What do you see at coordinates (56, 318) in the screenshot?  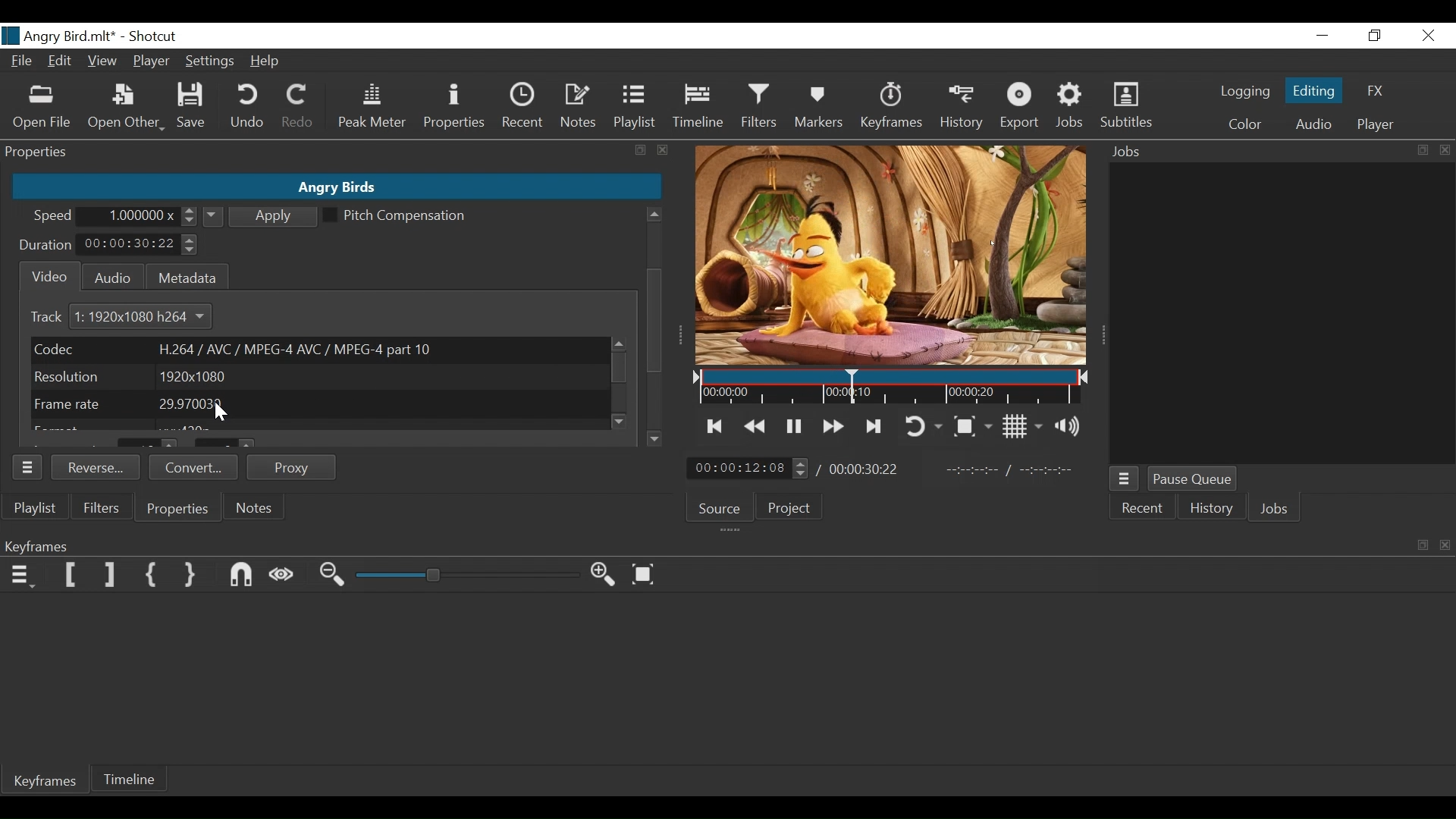 I see `Track 1` at bounding box center [56, 318].